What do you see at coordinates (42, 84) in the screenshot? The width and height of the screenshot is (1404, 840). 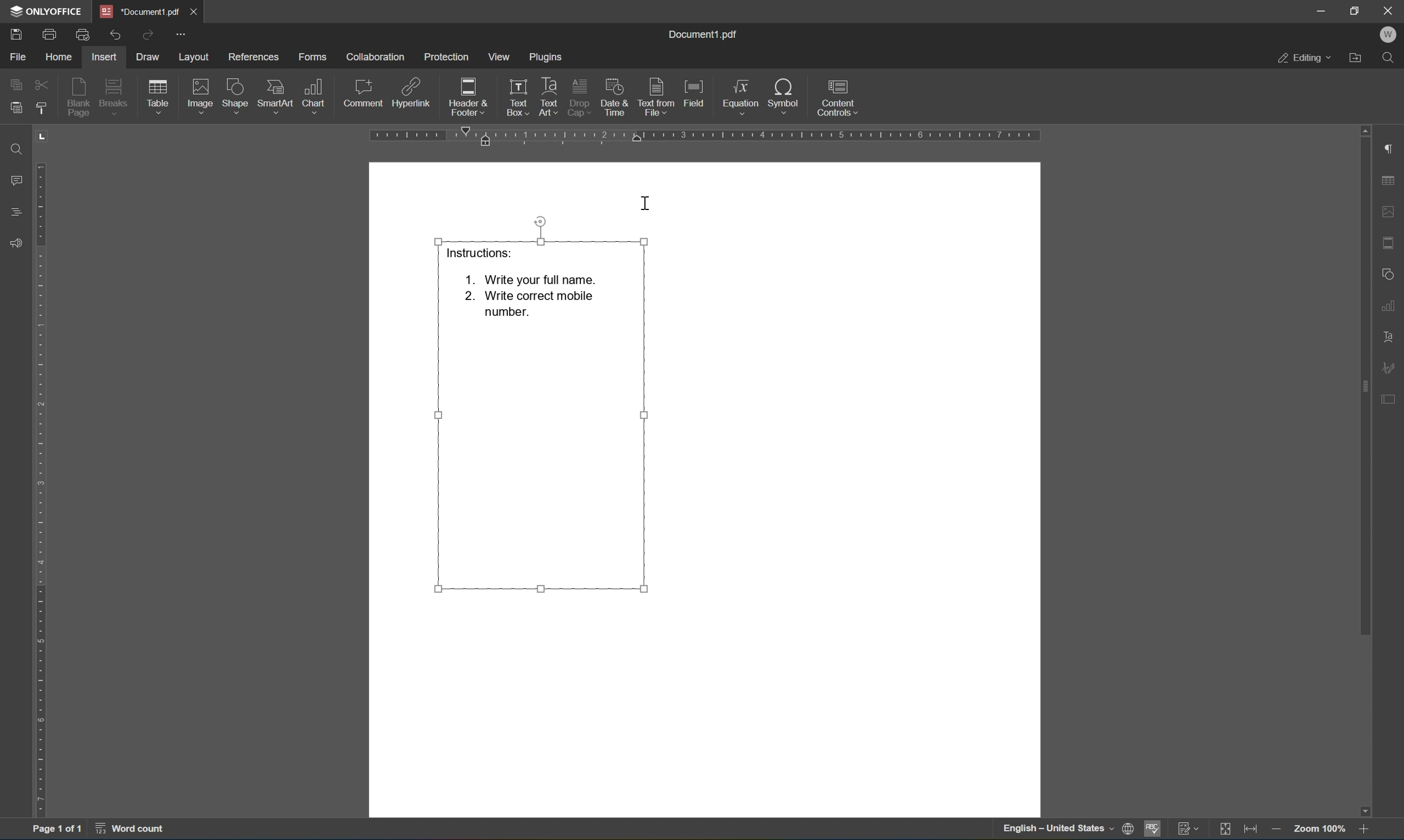 I see `cut` at bounding box center [42, 84].